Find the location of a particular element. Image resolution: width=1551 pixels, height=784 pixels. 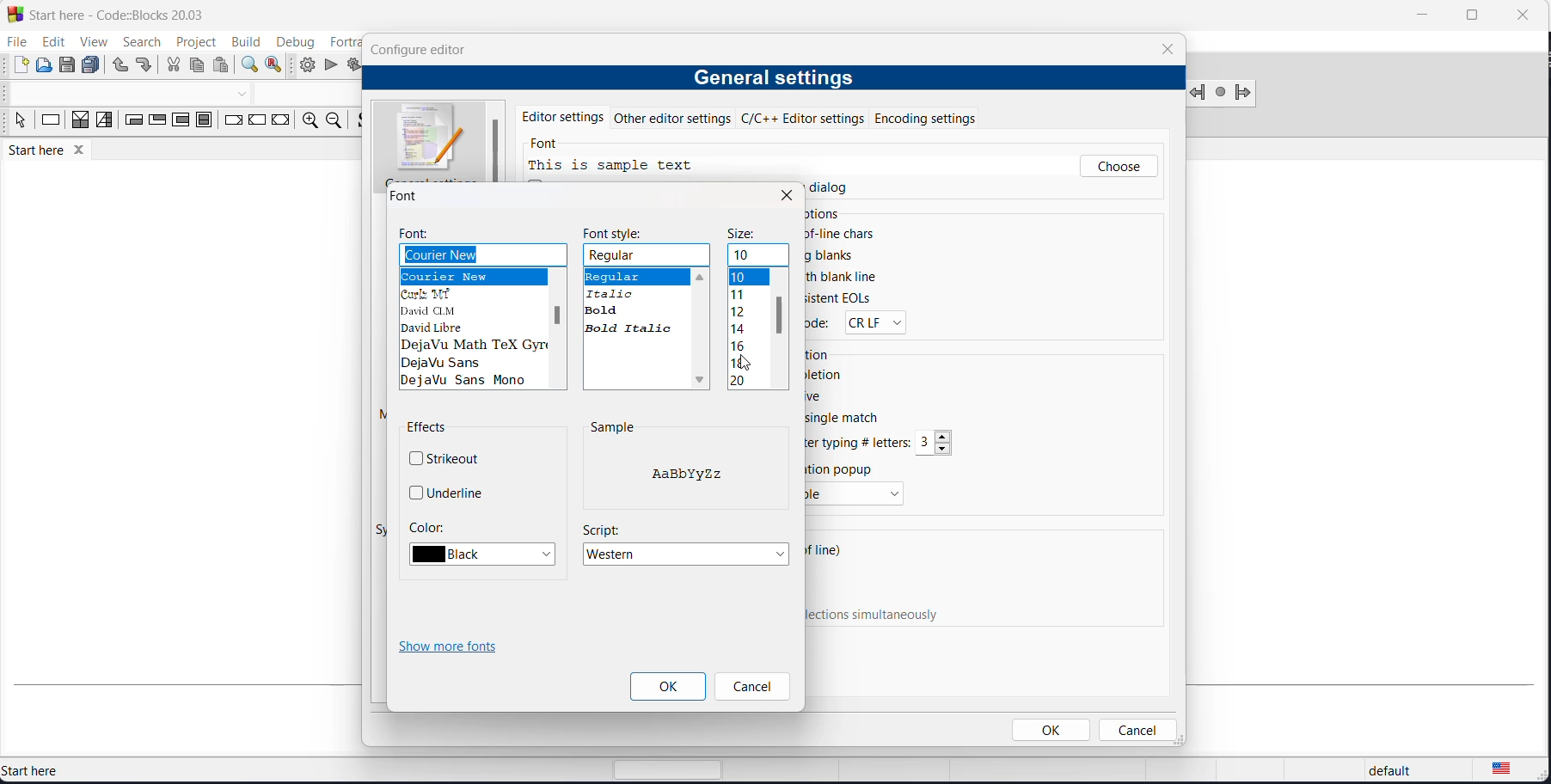

Line is located at coordinates (829, 553).